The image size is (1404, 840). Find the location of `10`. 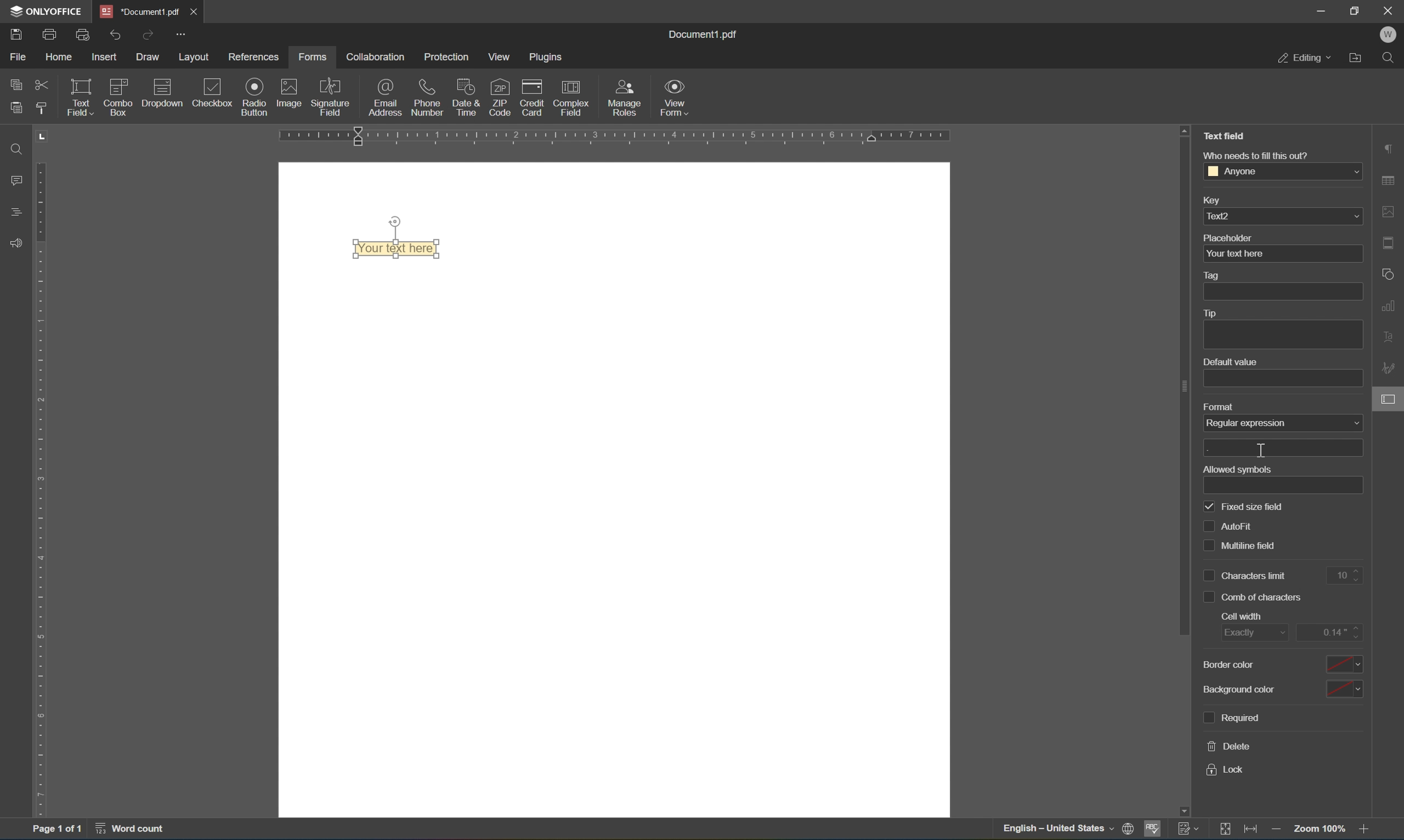

10 is located at coordinates (1345, 576).